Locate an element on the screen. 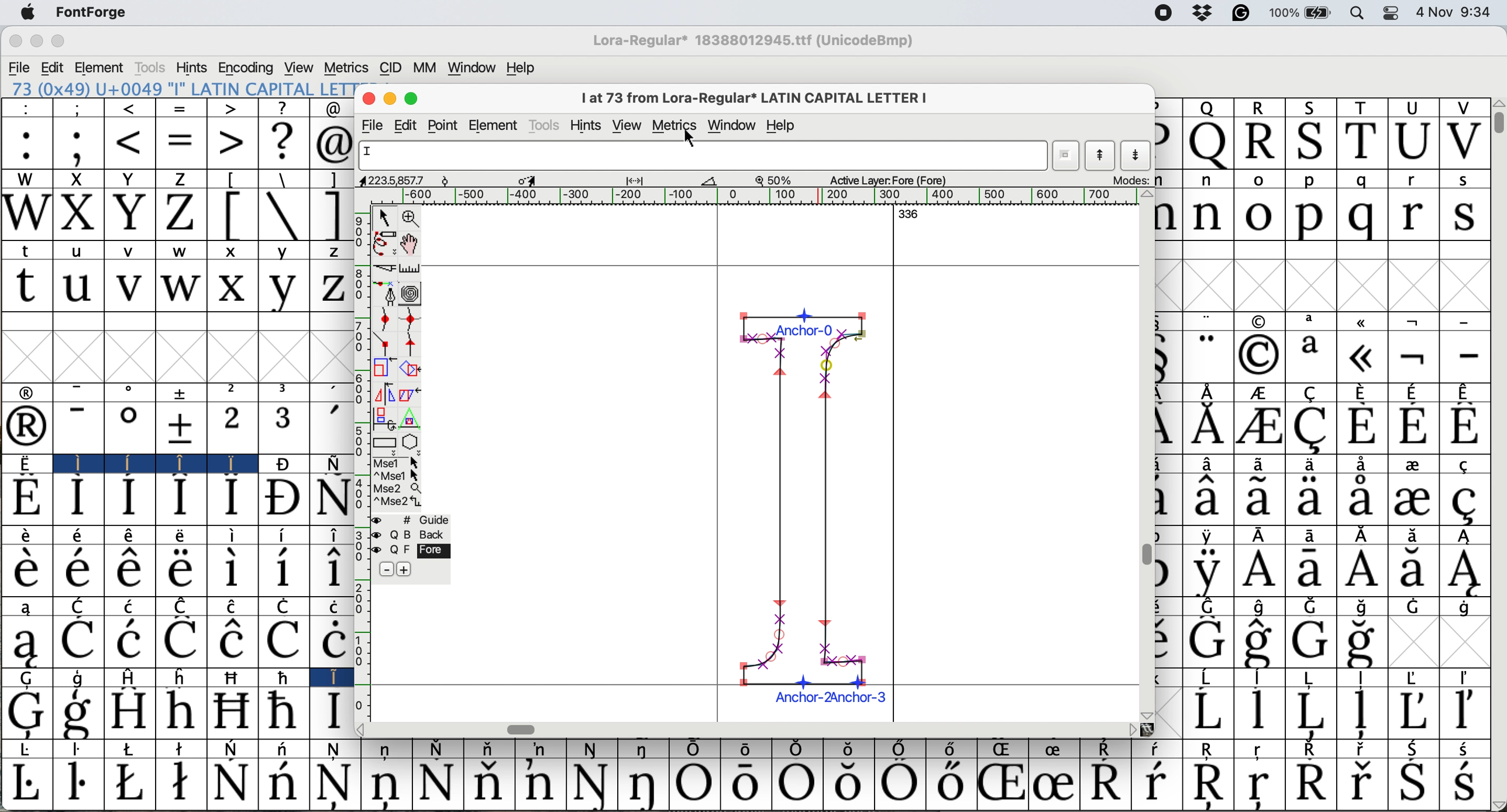 The image size is (1507, 812). Symbol is located at coordinates (1205, 571).